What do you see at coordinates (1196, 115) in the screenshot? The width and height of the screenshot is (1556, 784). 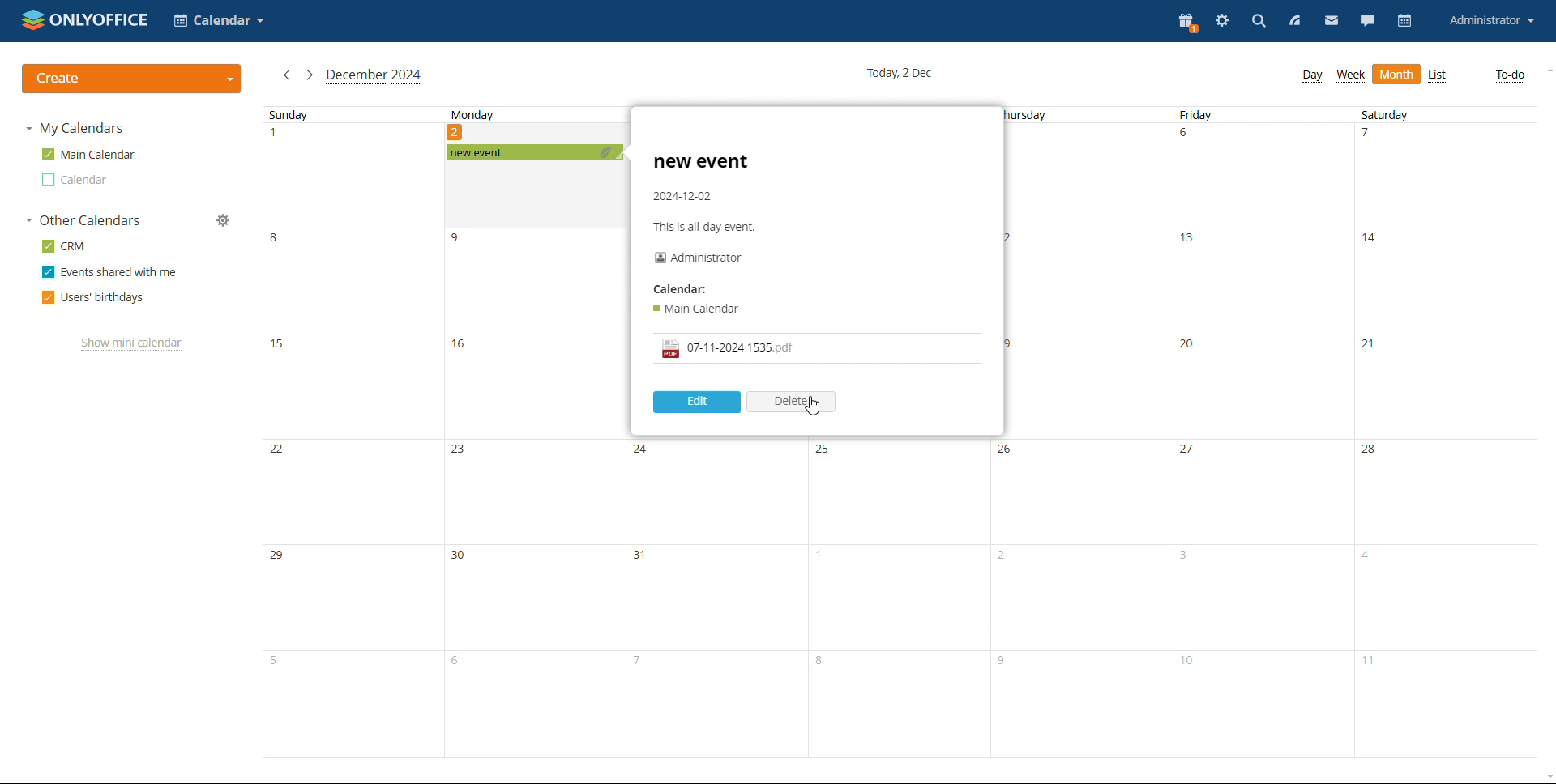 I see `Friday` at bounding box center [1196, 115].